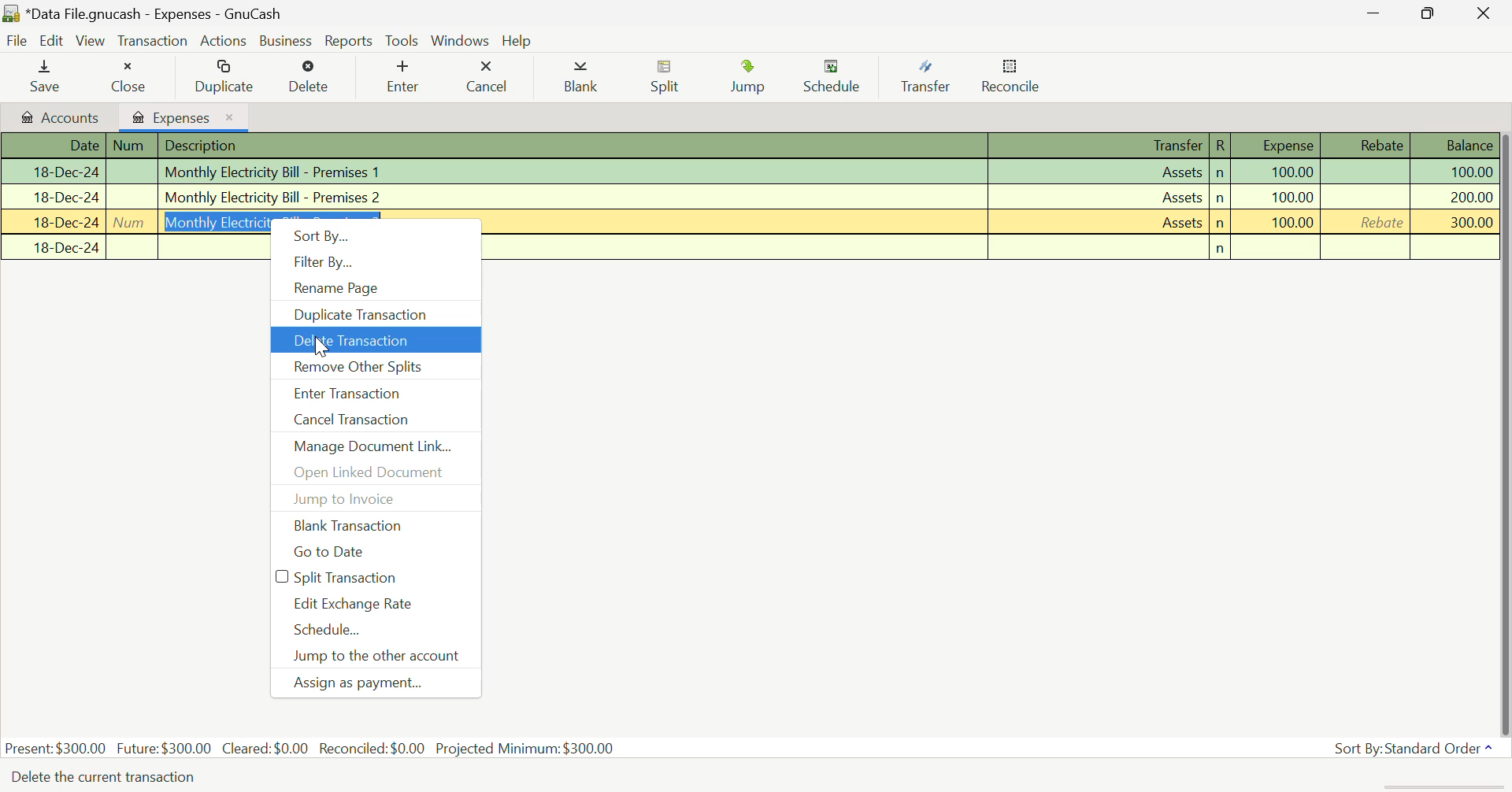  What do you see at coordinates (57, 117) in the screenshot?
I see `Accounts` at bounding box center [57, 117].